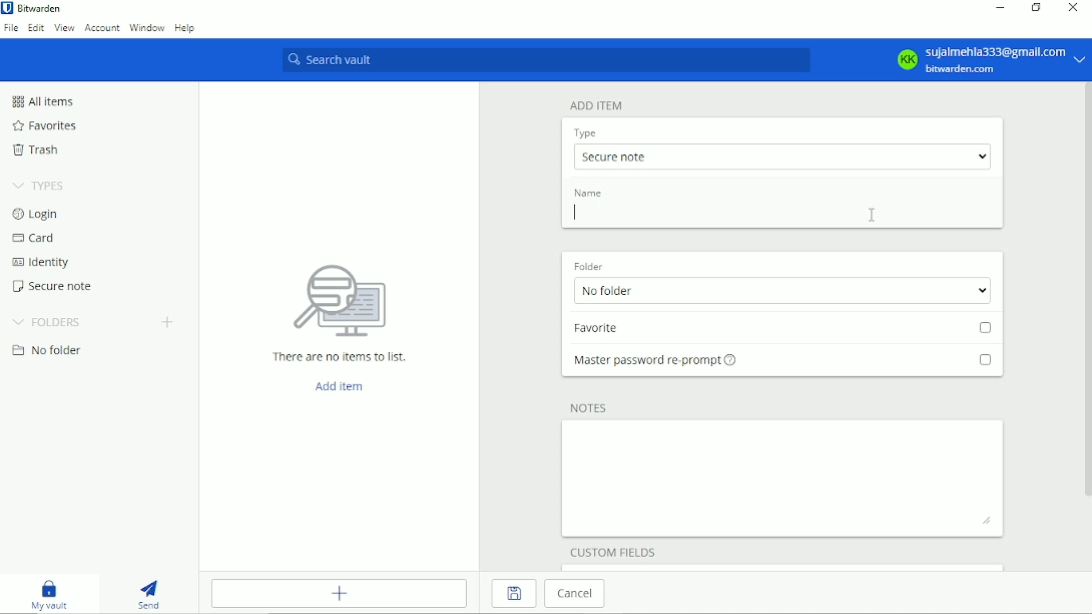  What do you see at coordinates (54, 286) in the screenshot?
I see `Secure note` at bounding box center [54, 286].